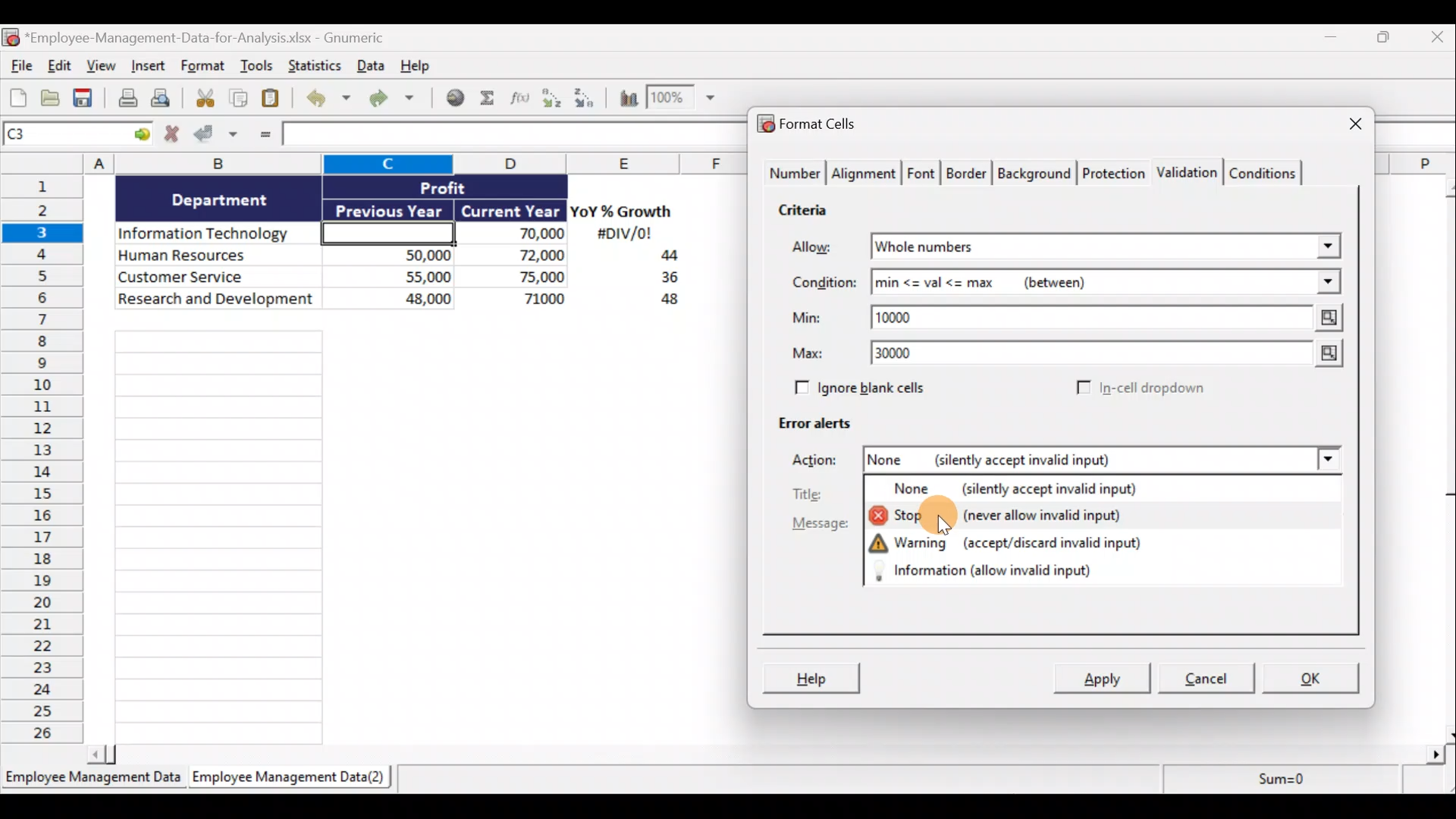 This screenshot has height=819, width=1456. What do you see at coordinates (1052, 491) in the screenshot?
I see `None (silently accept invalid input)` at bounding box center [1052, 491].